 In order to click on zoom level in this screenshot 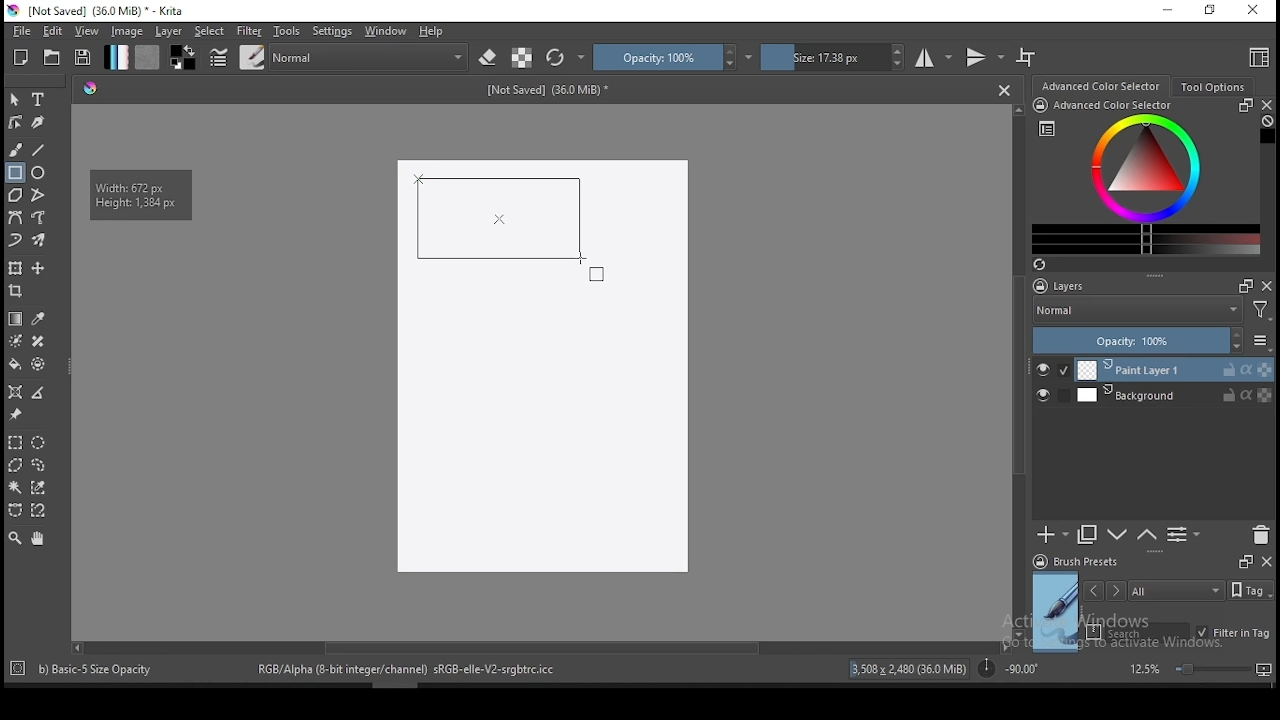, I will do `click(1200, 668)`.